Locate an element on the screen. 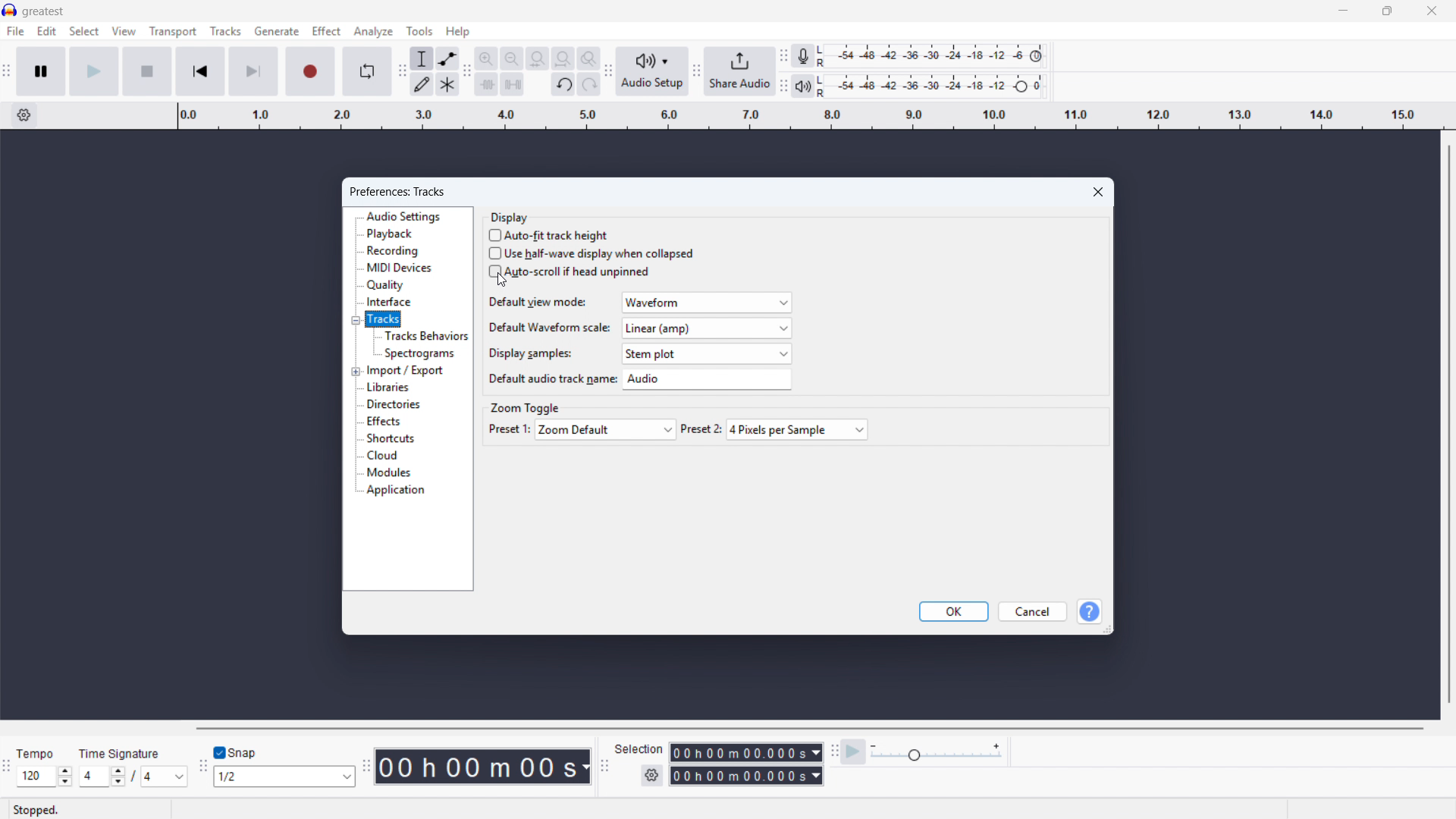 The image size is (1456, 819). Play at speed toolbar  is located at coordinates (834, 754).